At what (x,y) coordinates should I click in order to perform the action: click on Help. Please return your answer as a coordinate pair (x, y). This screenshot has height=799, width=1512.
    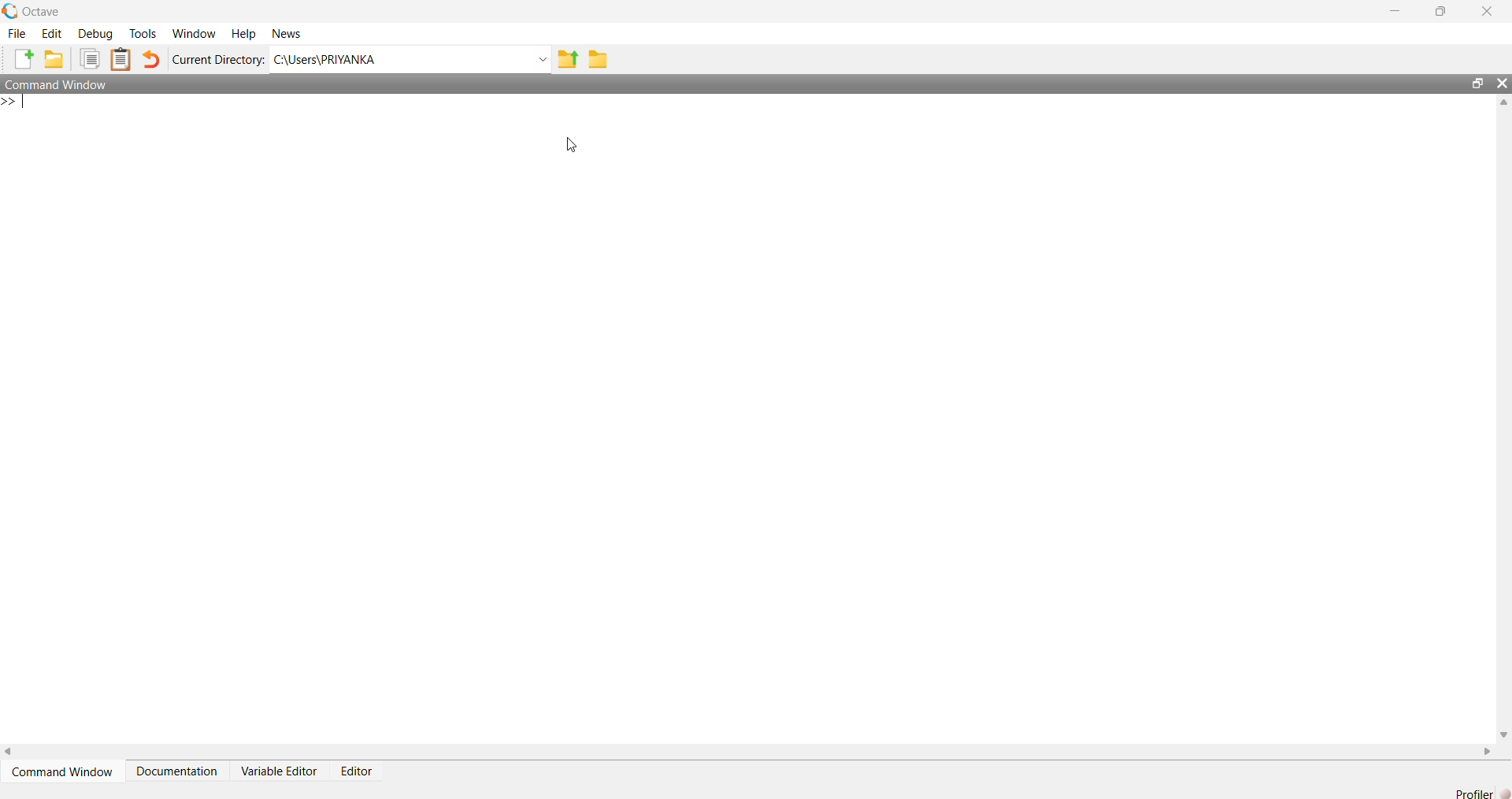
    Looking at the image, I should click on (241, 34).